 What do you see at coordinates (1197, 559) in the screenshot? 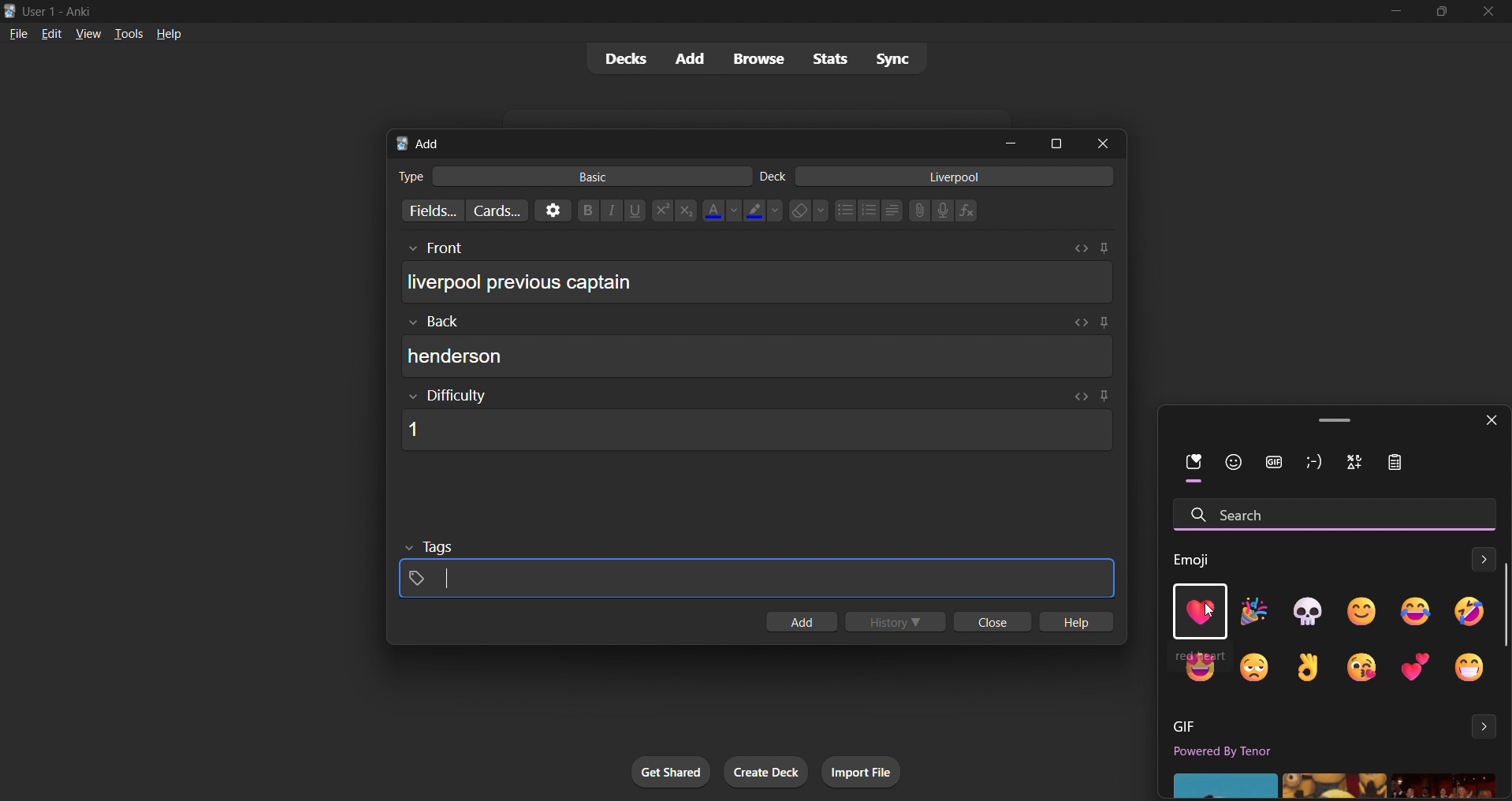
I see `Emoji` at bounding box center [1197, 559].